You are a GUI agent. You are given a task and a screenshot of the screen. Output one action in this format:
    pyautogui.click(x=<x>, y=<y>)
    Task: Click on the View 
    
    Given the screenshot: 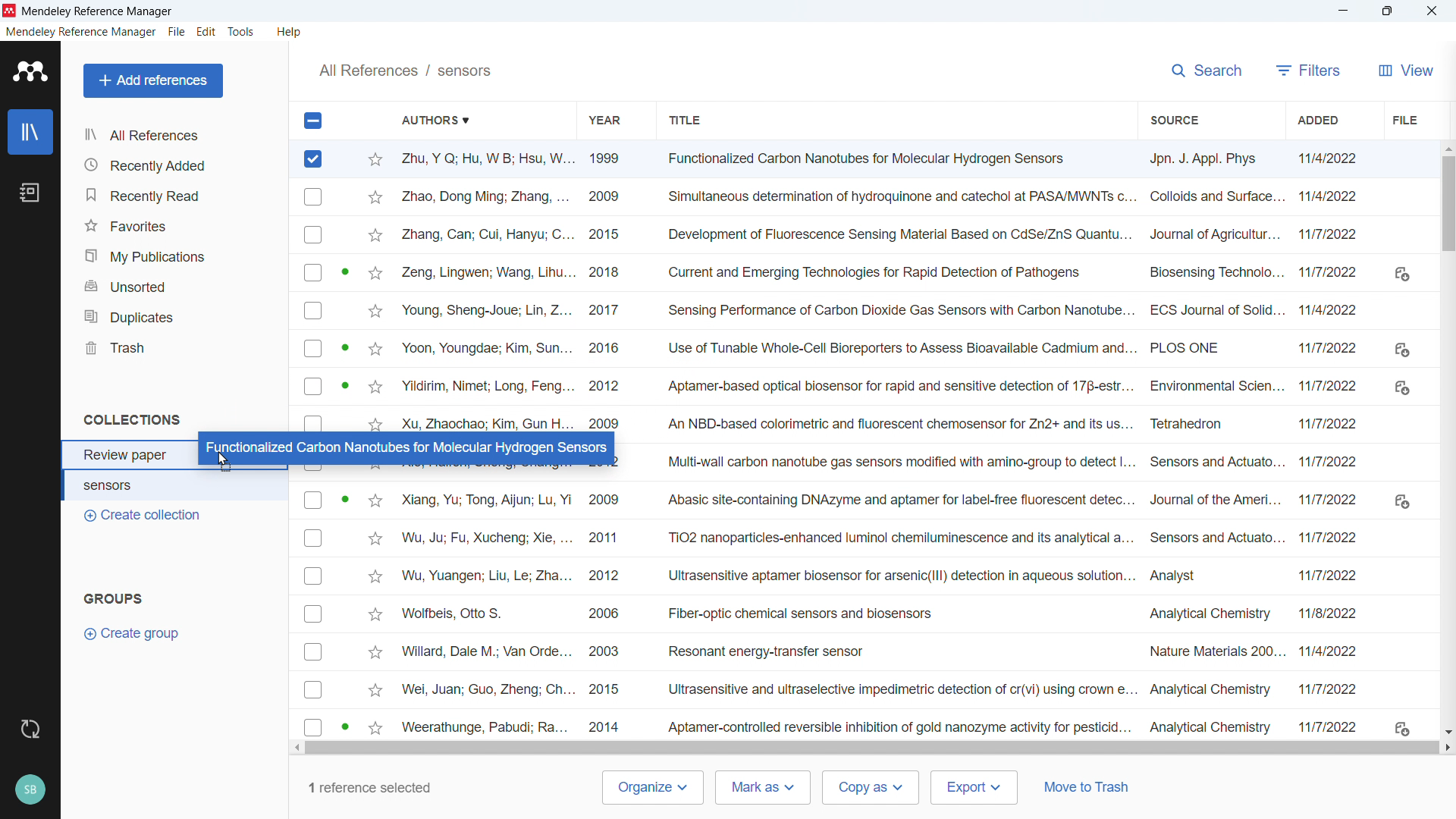 What is the action you would take?
    pyautogui.click(x=1403, y=70)
    